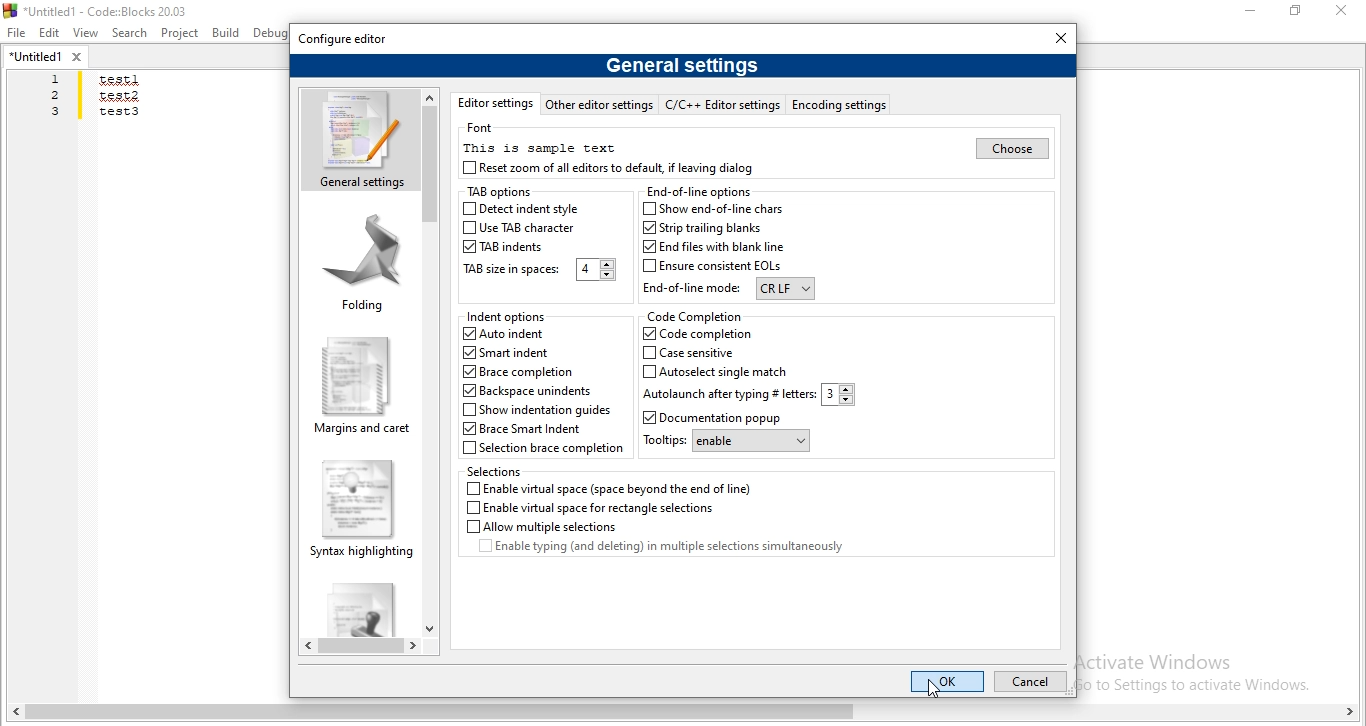  I want to click on Autolaunch after typing #letters: 3, so click(749, 395).